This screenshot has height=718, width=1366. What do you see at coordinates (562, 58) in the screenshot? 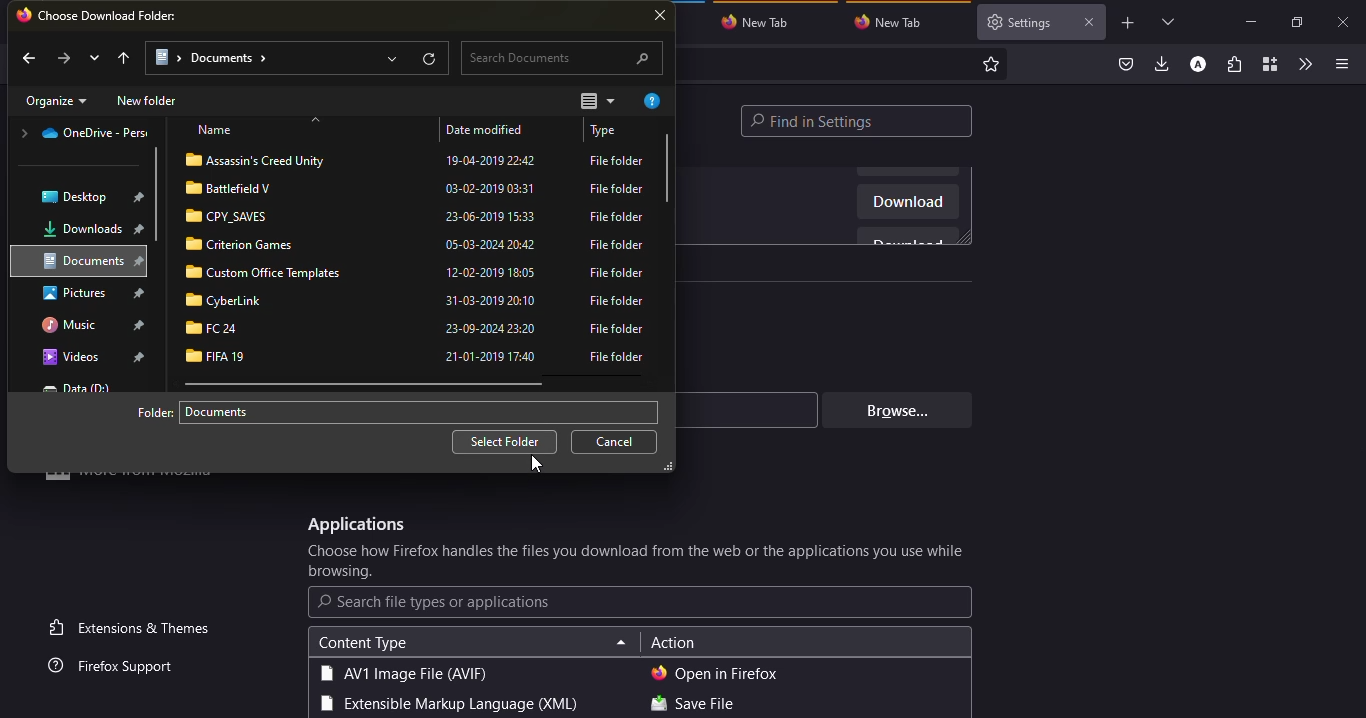
I see `search` at bounding box center [562, 58].